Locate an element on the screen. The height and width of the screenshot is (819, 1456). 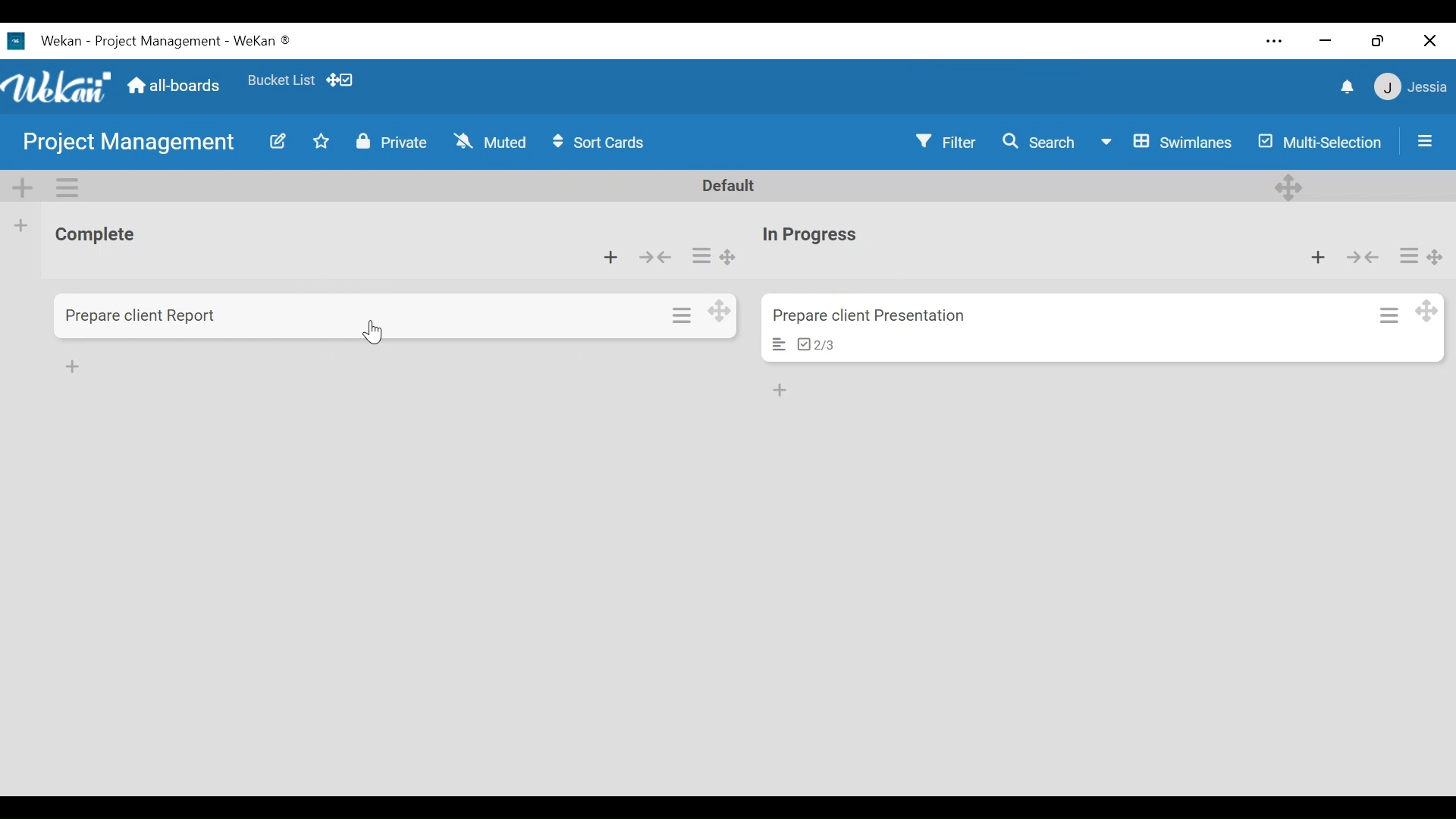
Sidebar is located at coordinates (1426, 140).